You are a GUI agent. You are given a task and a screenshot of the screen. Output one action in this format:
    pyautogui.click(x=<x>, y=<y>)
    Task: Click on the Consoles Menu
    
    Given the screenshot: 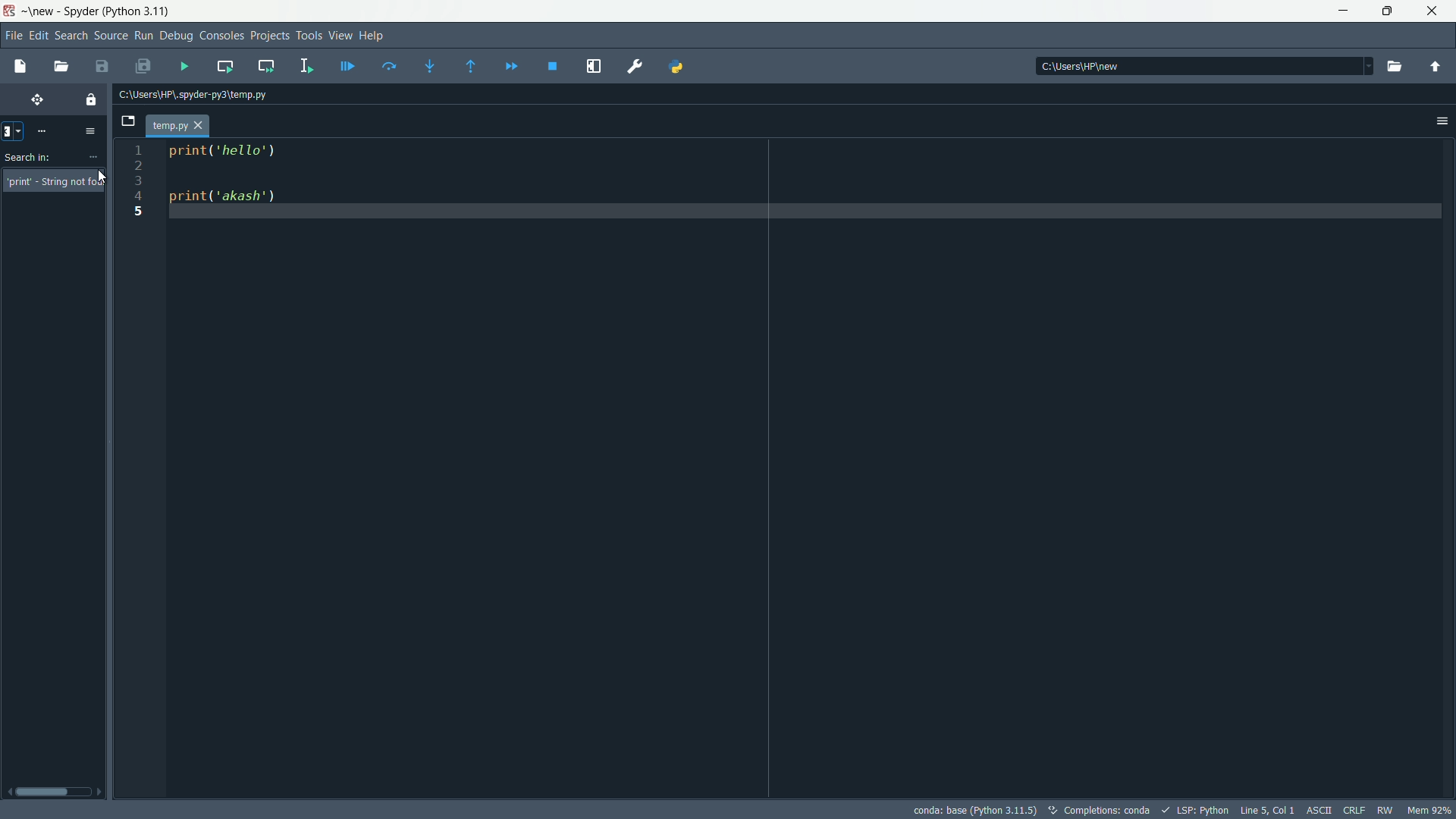 What is the action you would take?
    pyautogui.click(x=220, y=35)
    